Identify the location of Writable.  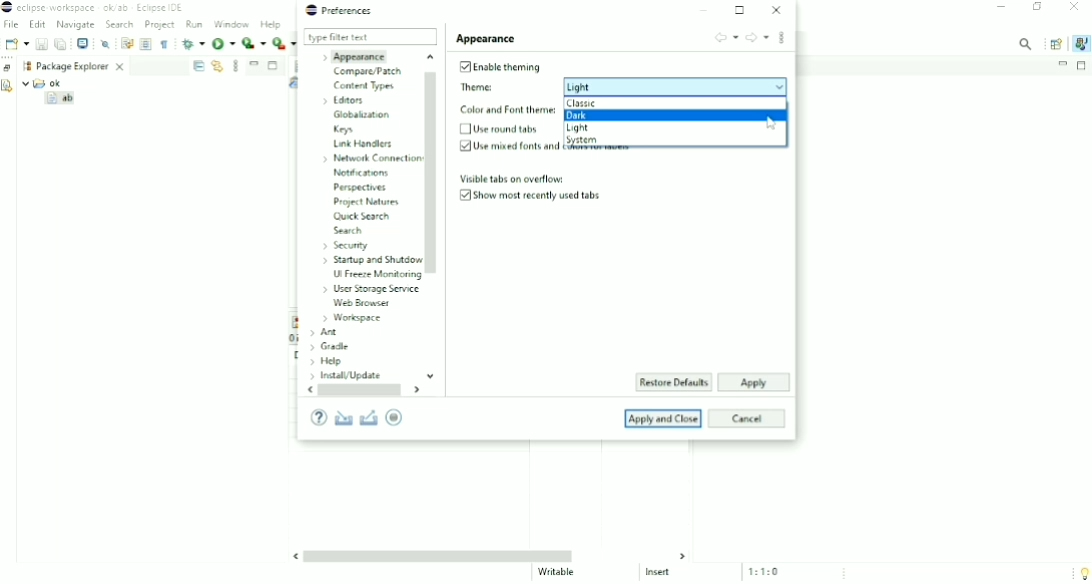
(558, 573).